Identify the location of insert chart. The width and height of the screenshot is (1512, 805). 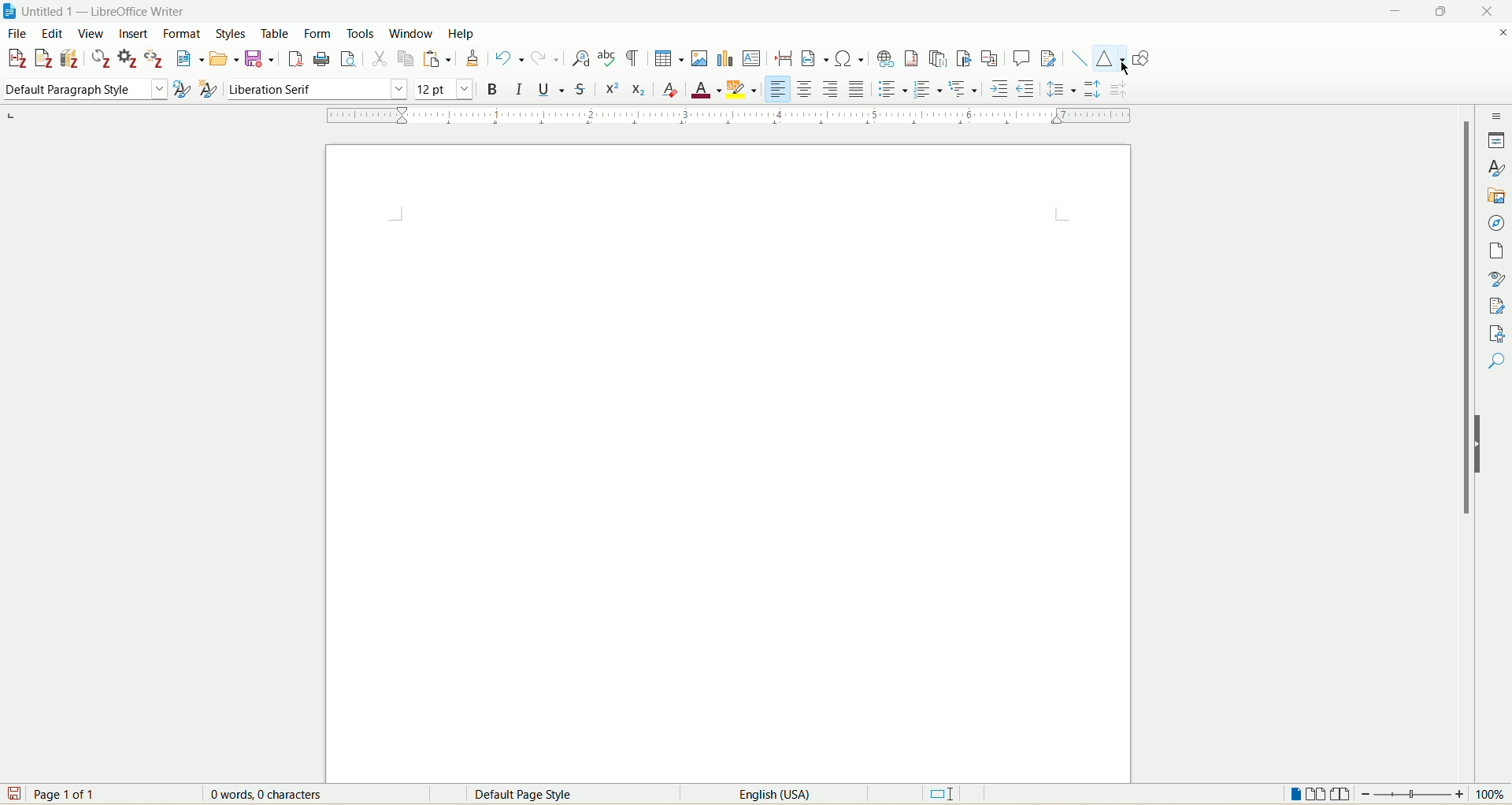
(724, 57).